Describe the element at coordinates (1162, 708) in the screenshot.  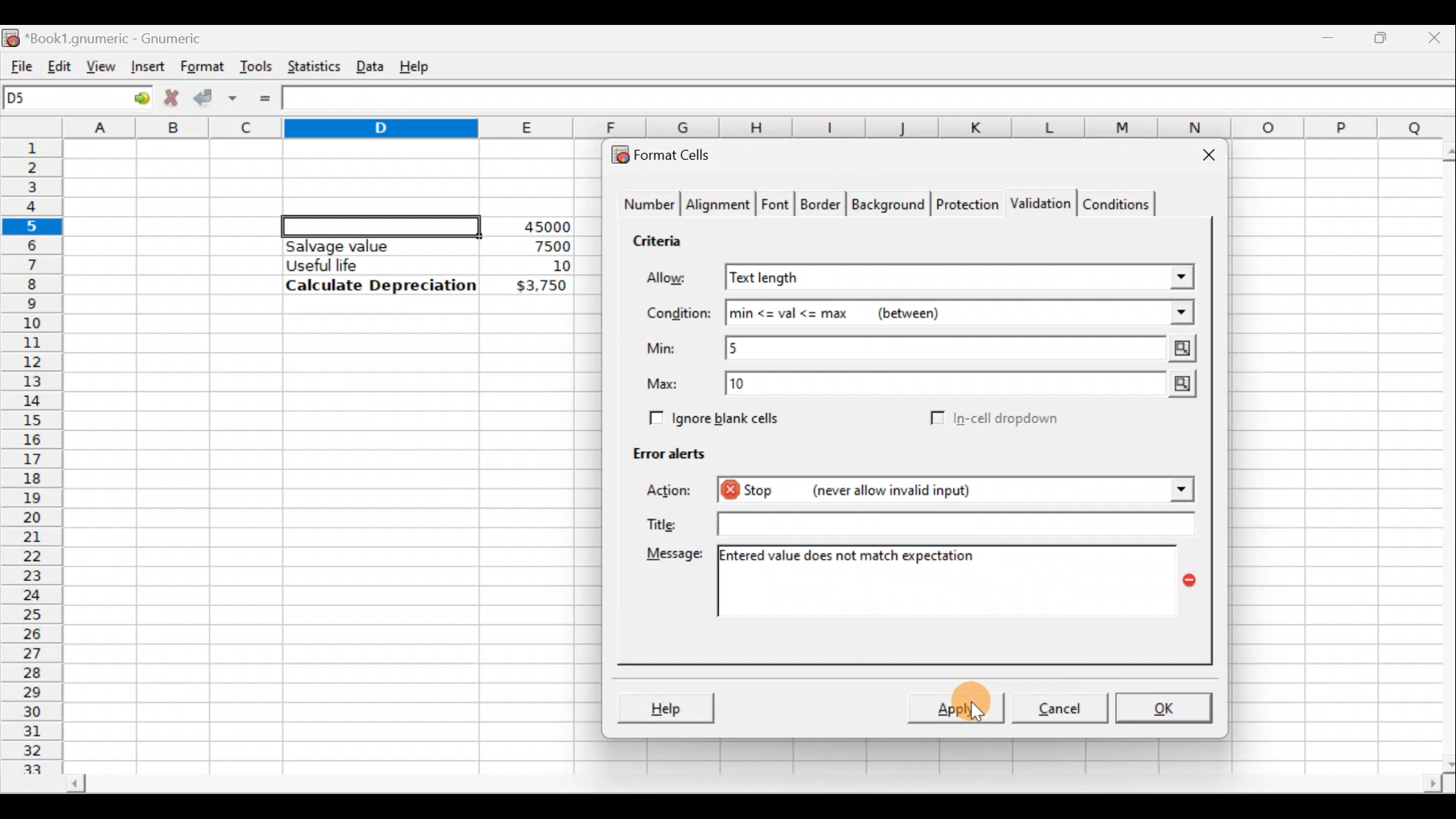
I see `OK` at that location.